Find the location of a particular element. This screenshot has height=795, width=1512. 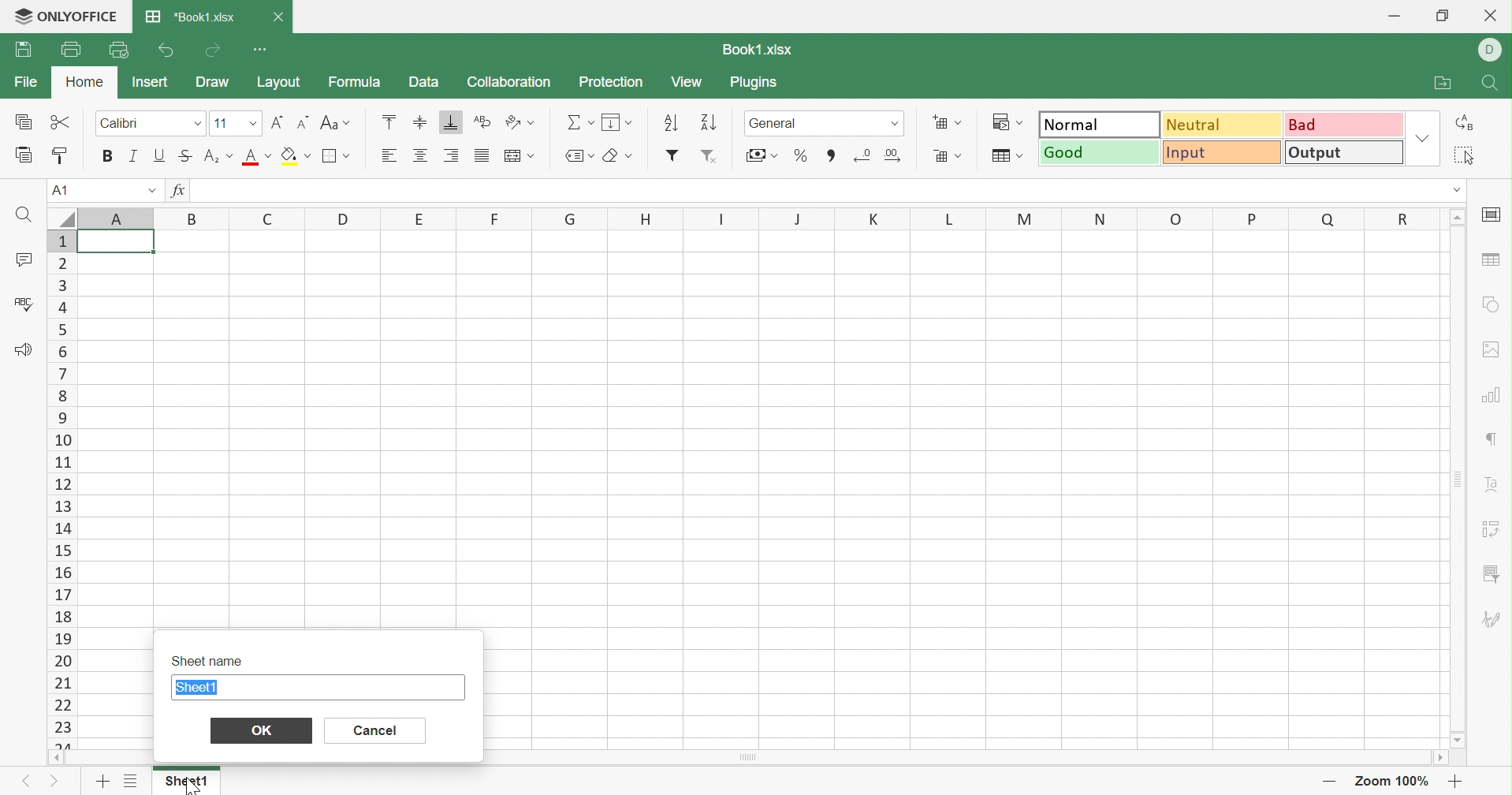

Slide settings is located at coordinates (1494, 214).